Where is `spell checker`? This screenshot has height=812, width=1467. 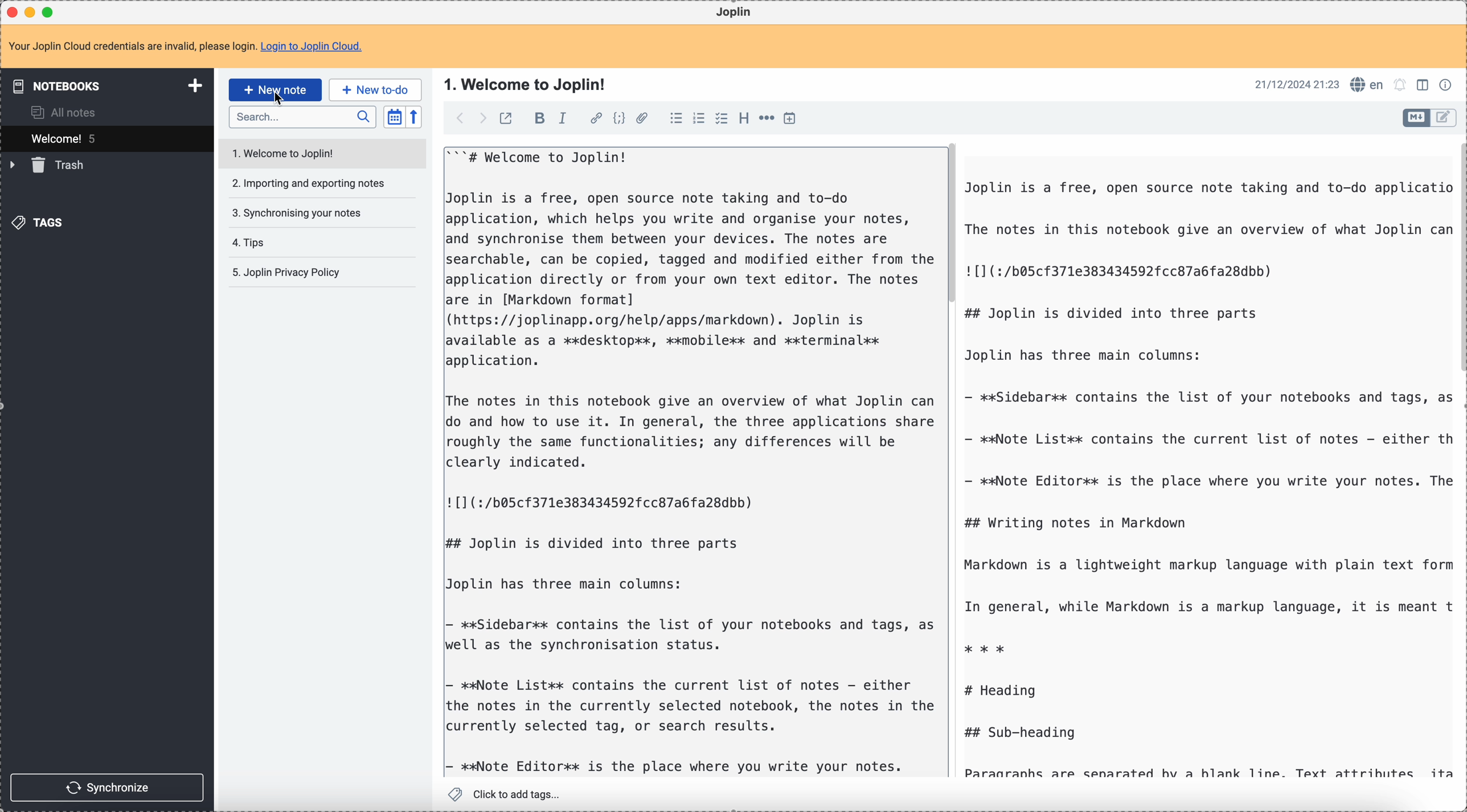
spell checker is located at coordinates (1368, 85).